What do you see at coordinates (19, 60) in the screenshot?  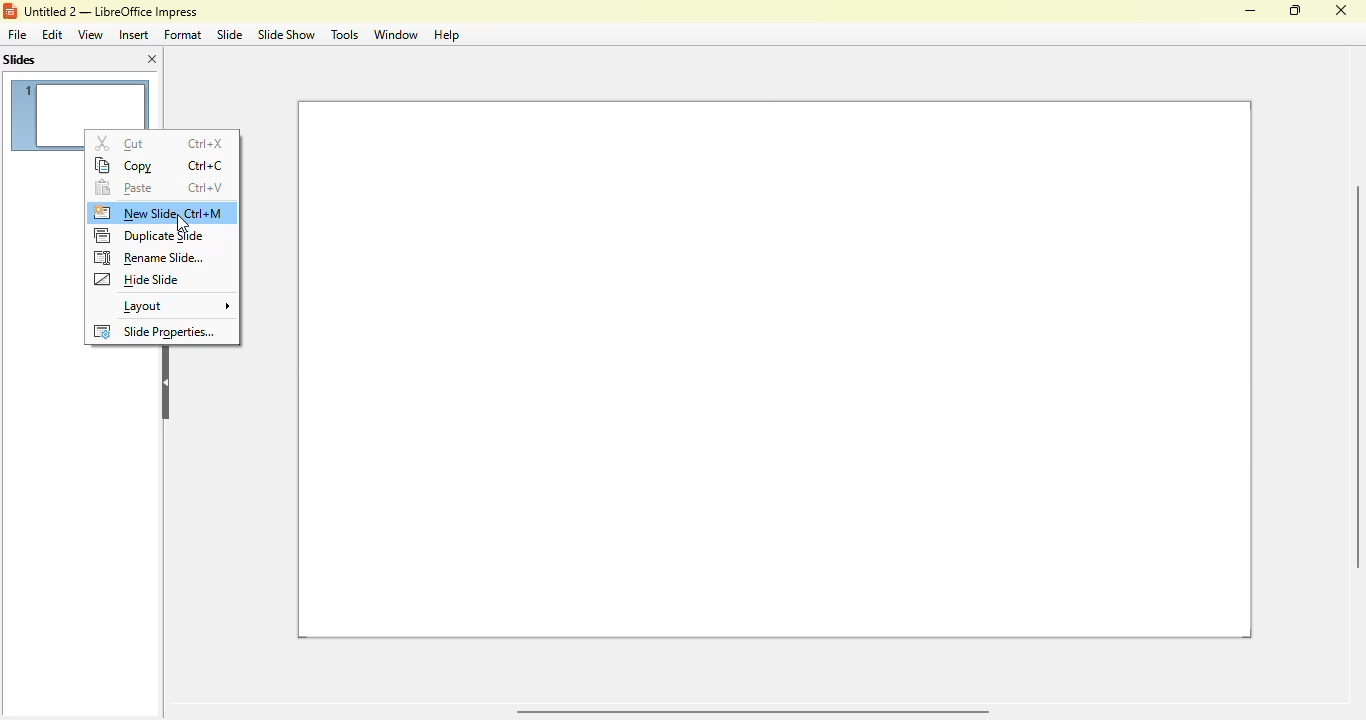 I see `slides` at bounding box center [19, 60].